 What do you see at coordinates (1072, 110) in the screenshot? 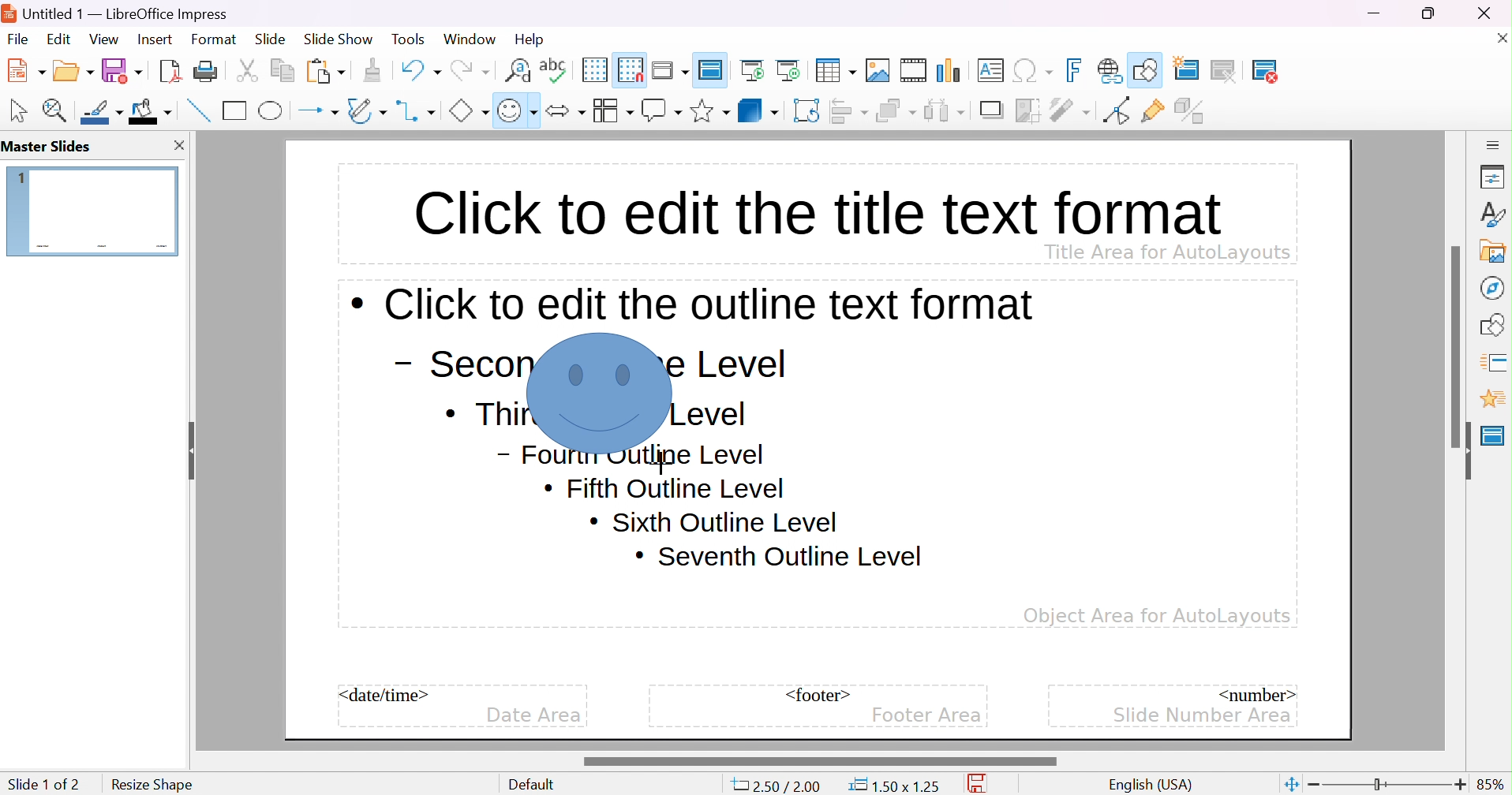
I see `filter` at bounding box center [1072, 110].